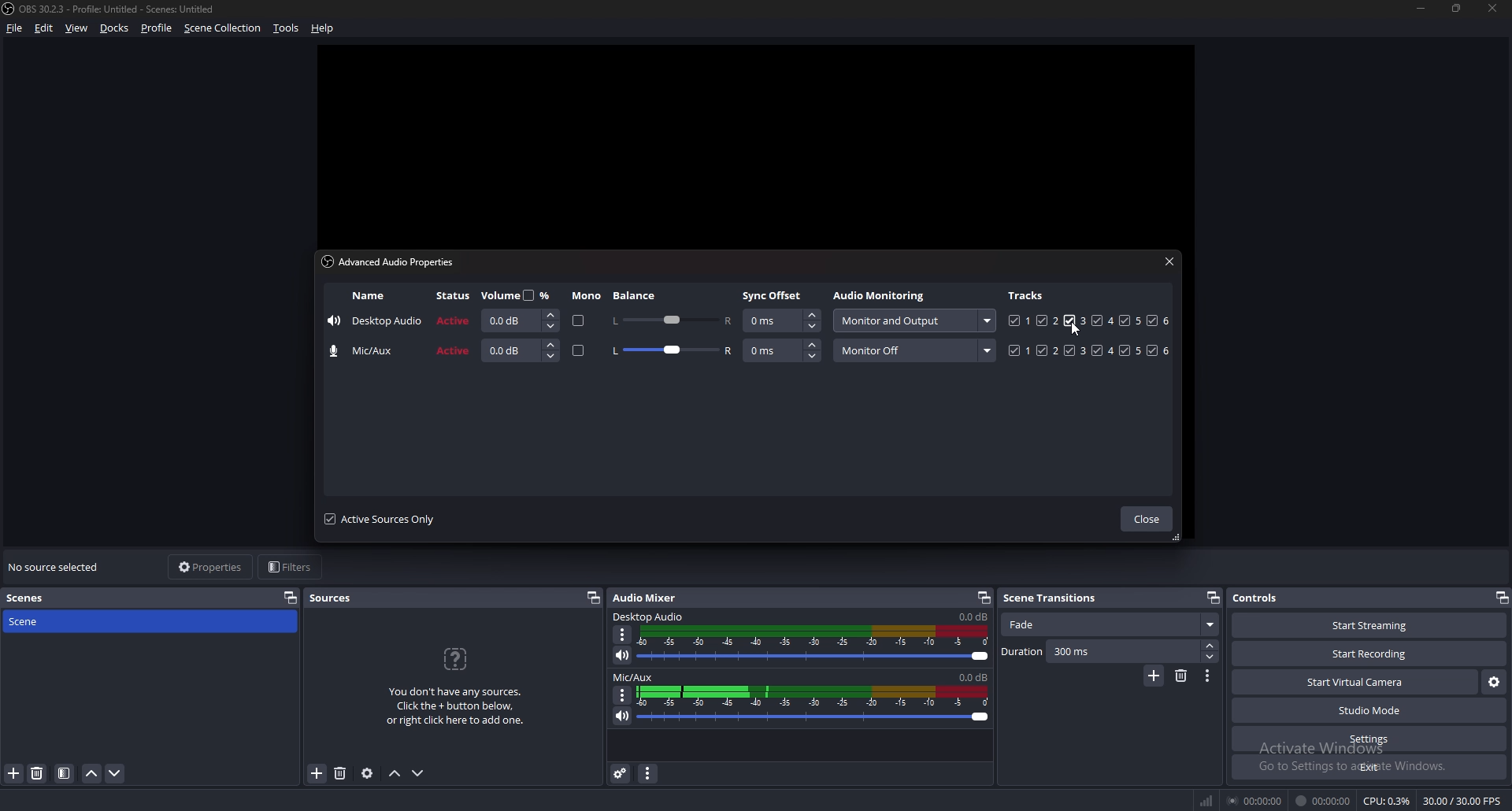  What do you see at coordinates (671, 319) in the screenshot?
I see `balance adjust` at bounding box center [671, 319].